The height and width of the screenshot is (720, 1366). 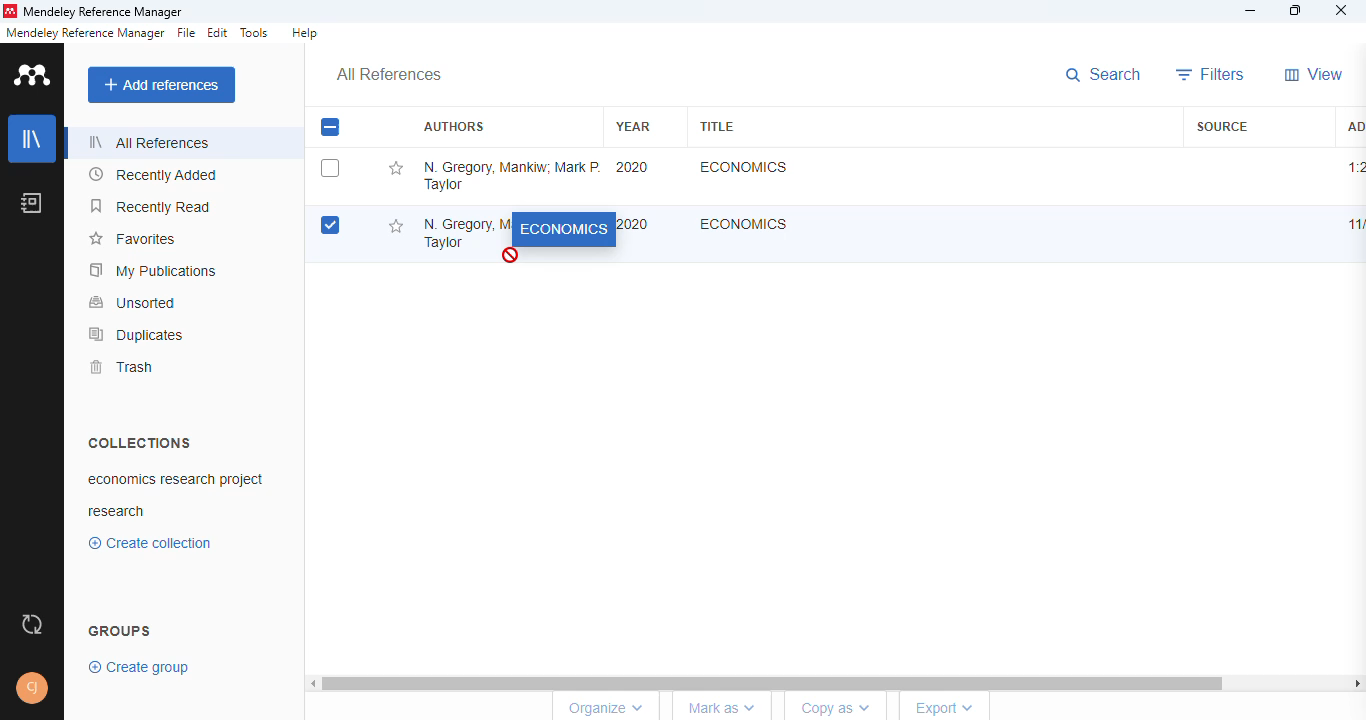 What do you see at coordinates (511, 175) in the screenshot?
I see `N. Gregory Mankiw, Mark P. Taylor` at bounding box center [511, 175].